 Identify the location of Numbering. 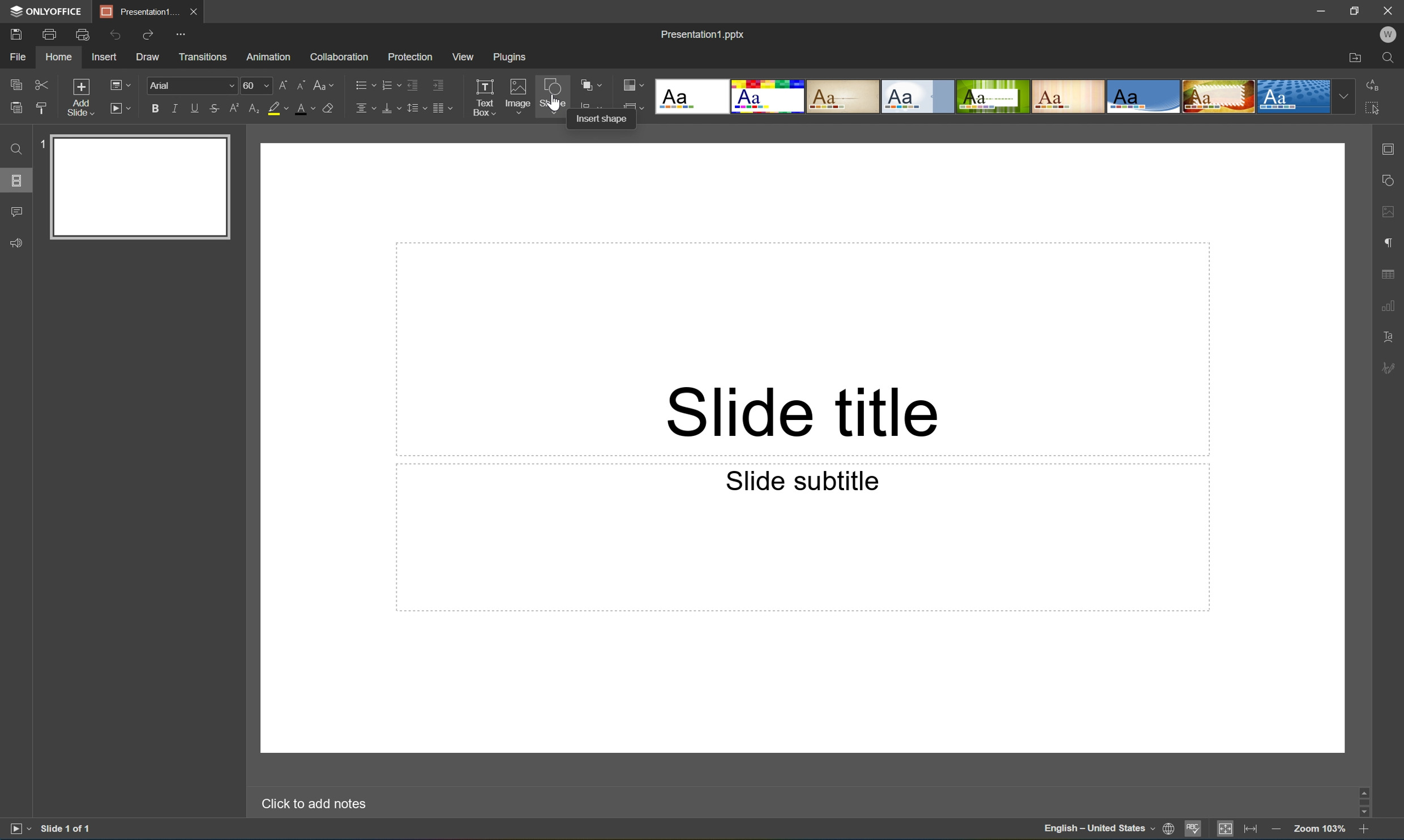
(387, 84).